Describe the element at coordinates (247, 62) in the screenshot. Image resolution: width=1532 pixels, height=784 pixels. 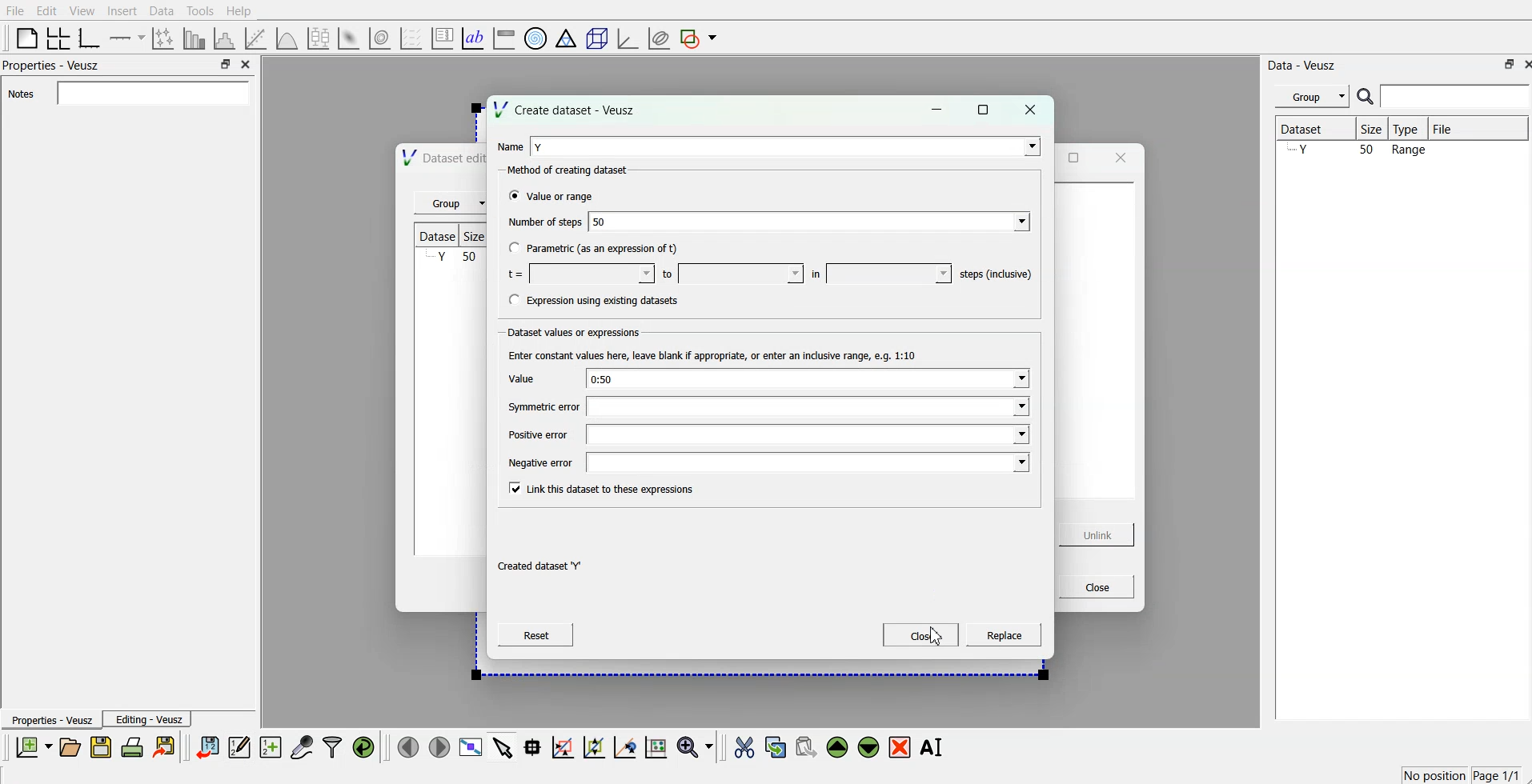
I see `close` at that location.